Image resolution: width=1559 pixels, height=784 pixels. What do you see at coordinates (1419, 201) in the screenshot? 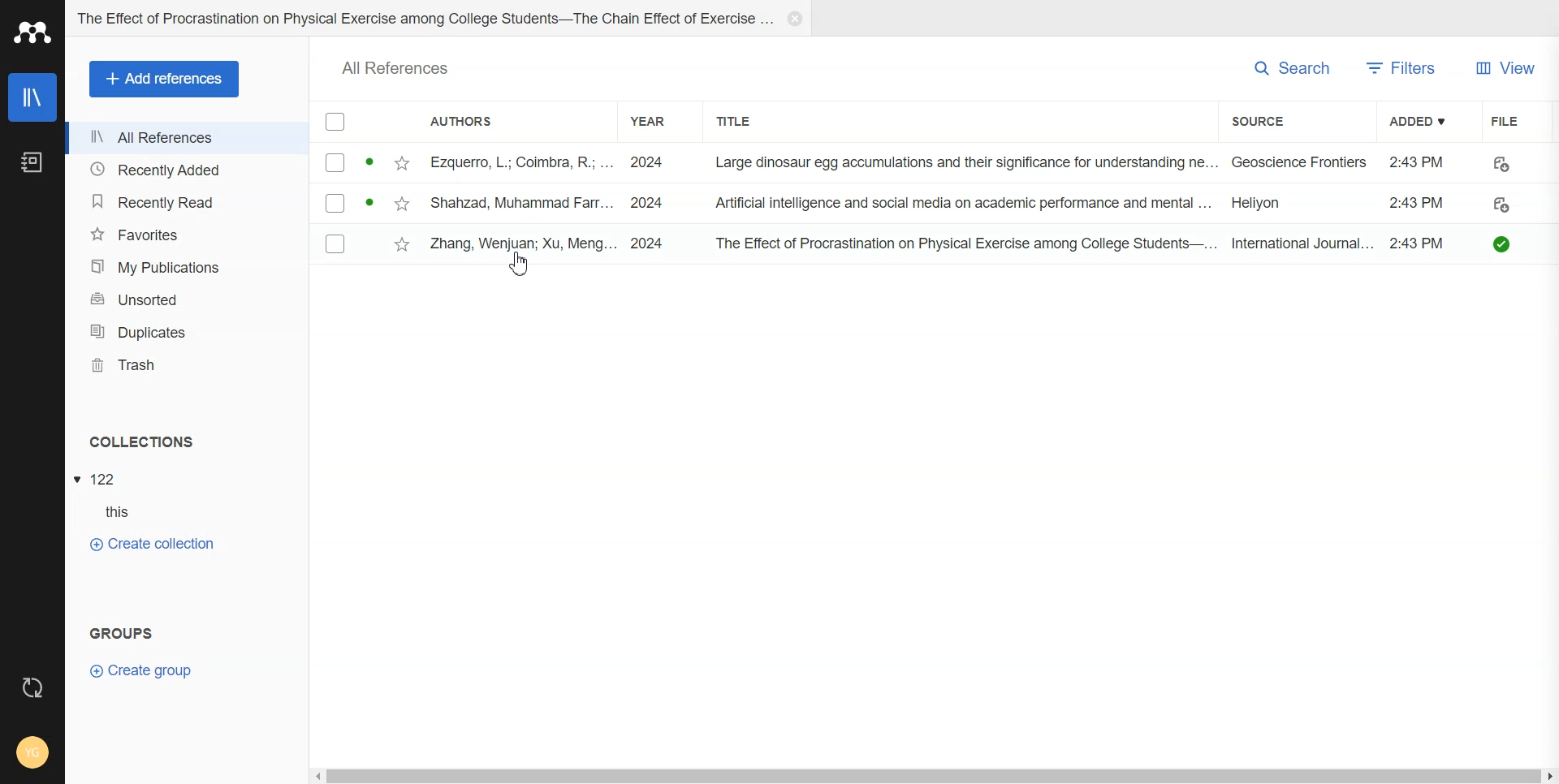
I see `2:43 PM` at bounding box center [1419, 201].